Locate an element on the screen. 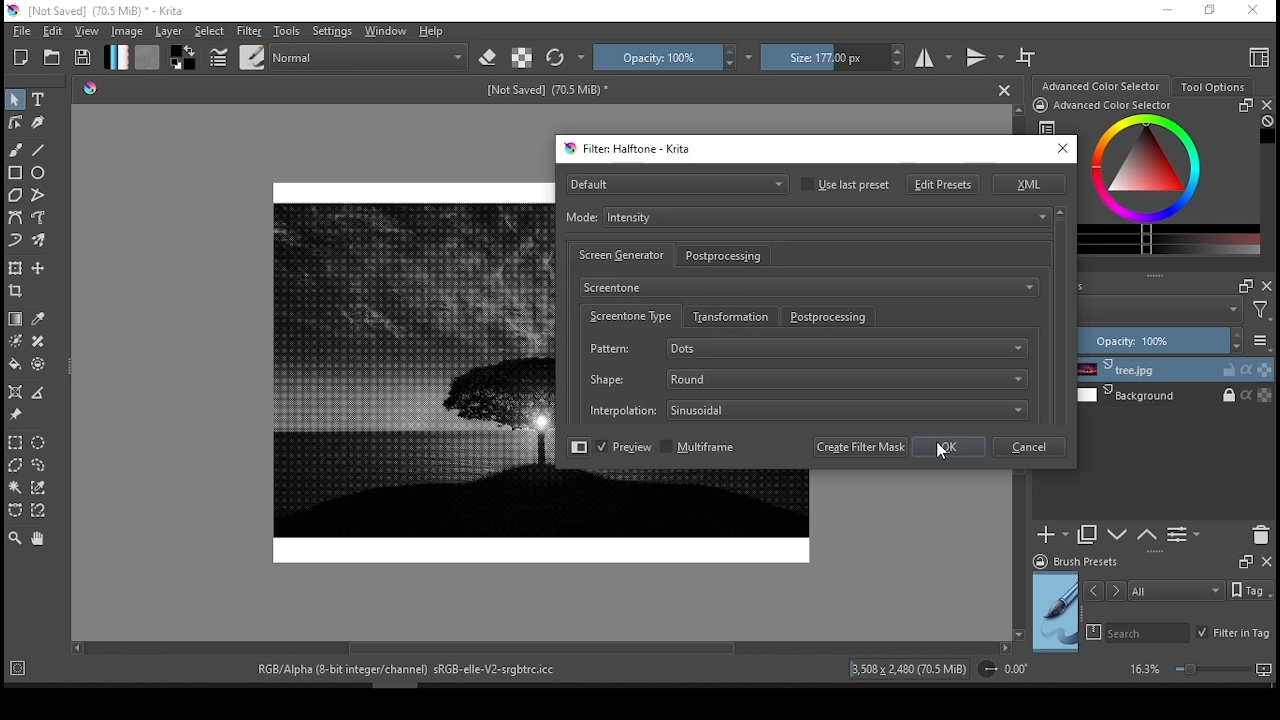 This screenshot has width=1280, height=720. new is located at coordinates (21, 58).